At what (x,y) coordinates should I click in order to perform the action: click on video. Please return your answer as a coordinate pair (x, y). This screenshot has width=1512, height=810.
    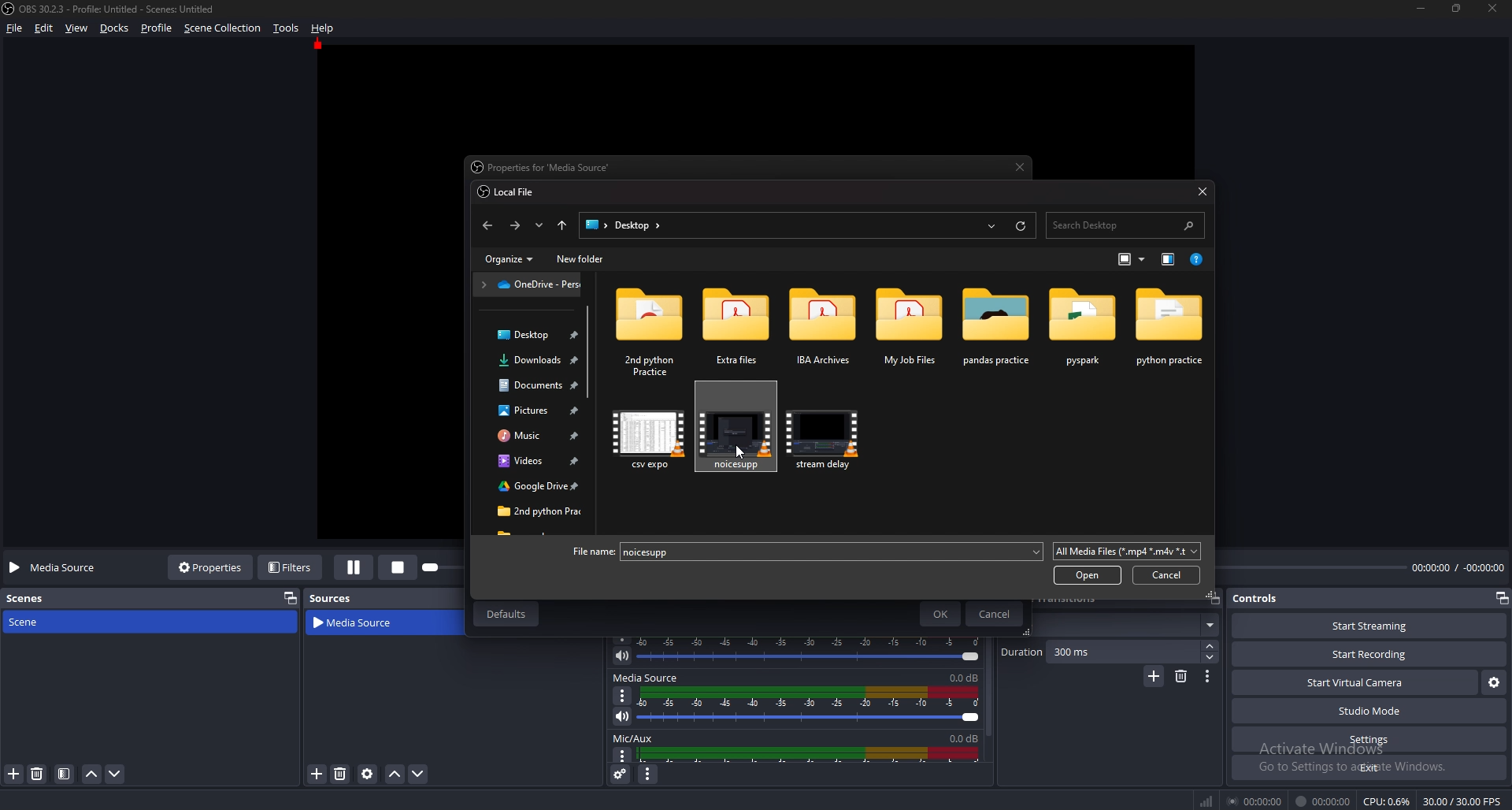
    Looking at the image, I should click on (650, 437).